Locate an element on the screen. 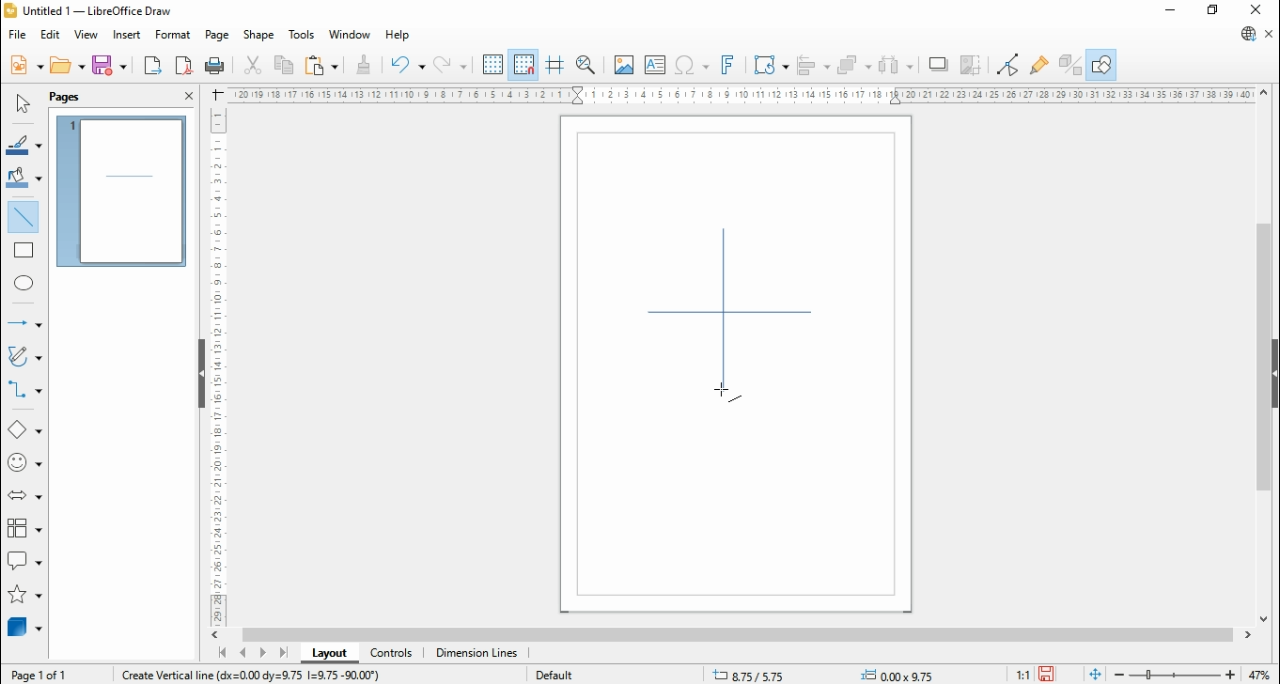  copy is located at coordinates (285, 65).